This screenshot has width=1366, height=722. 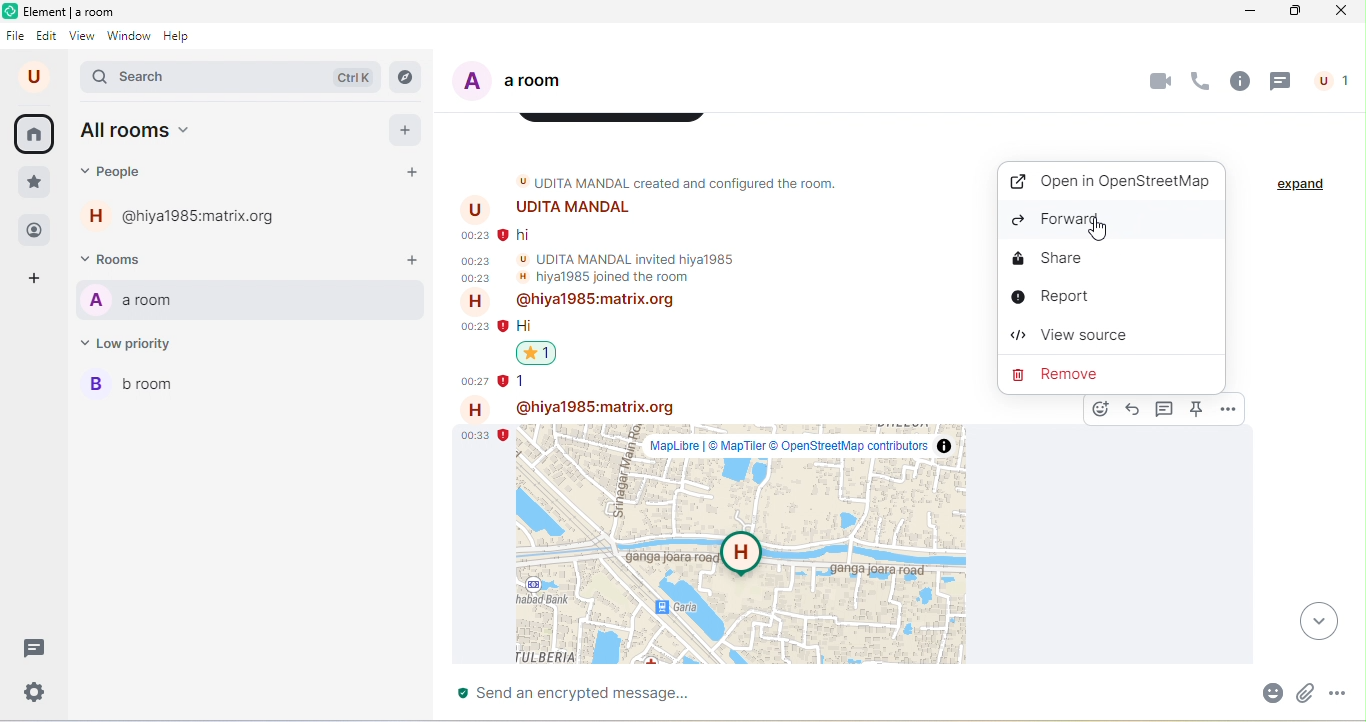 I want to click on view source, so click(x=1072, y=337).